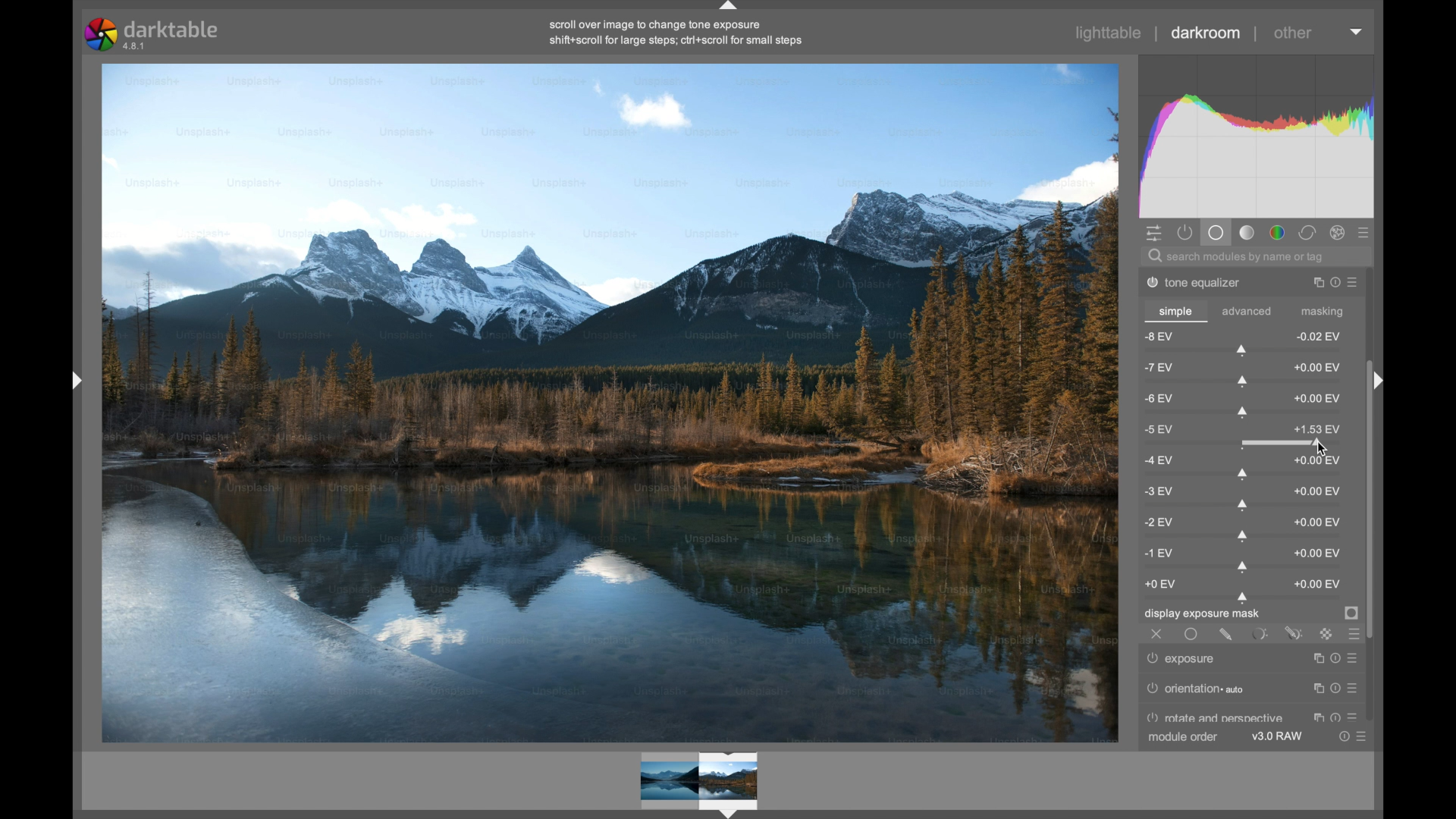  What do you see at coordinates (1354, 635) in the screenshot?
I see `blending options` at bounding box center [1354, 635].